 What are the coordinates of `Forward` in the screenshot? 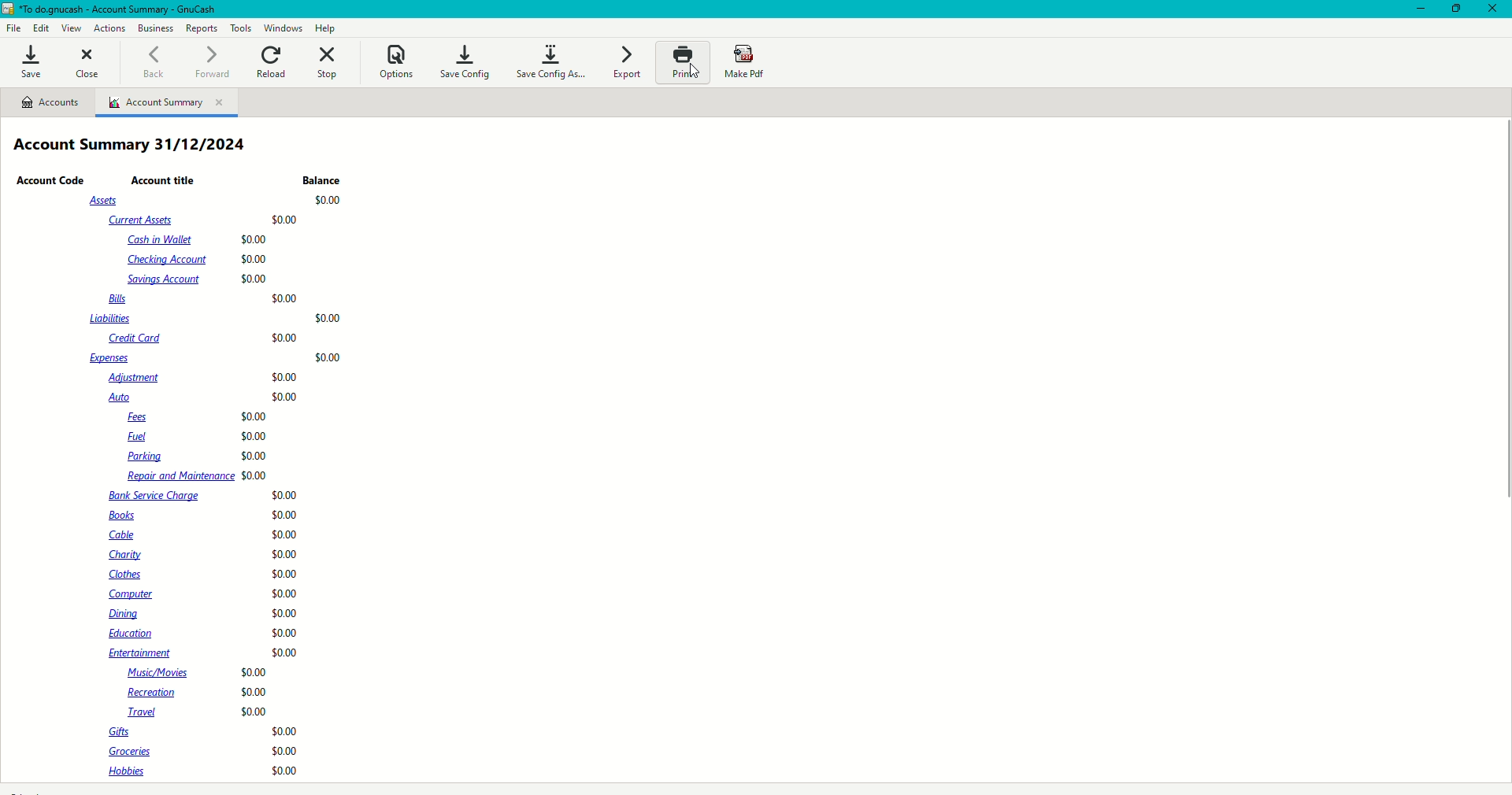 It's located at (207, 63).